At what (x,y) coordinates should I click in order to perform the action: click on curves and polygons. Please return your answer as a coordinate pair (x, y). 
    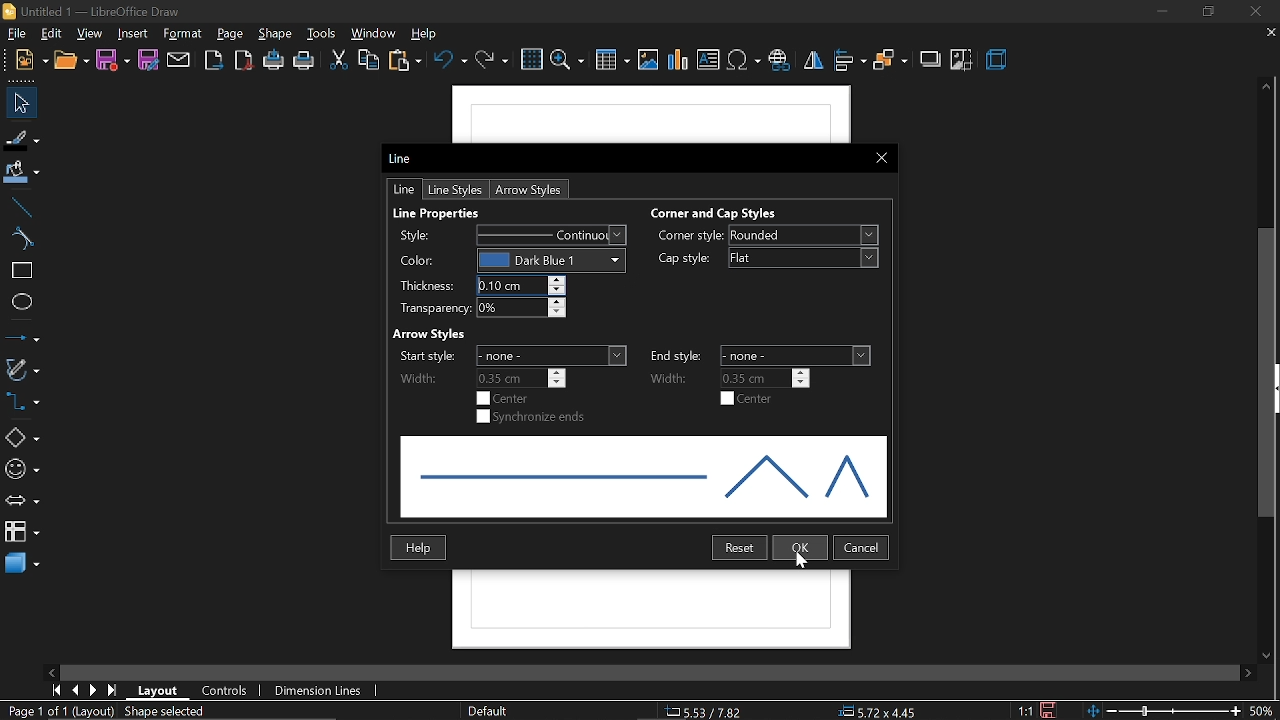
    Looking at the image, I should click on (22, 370).